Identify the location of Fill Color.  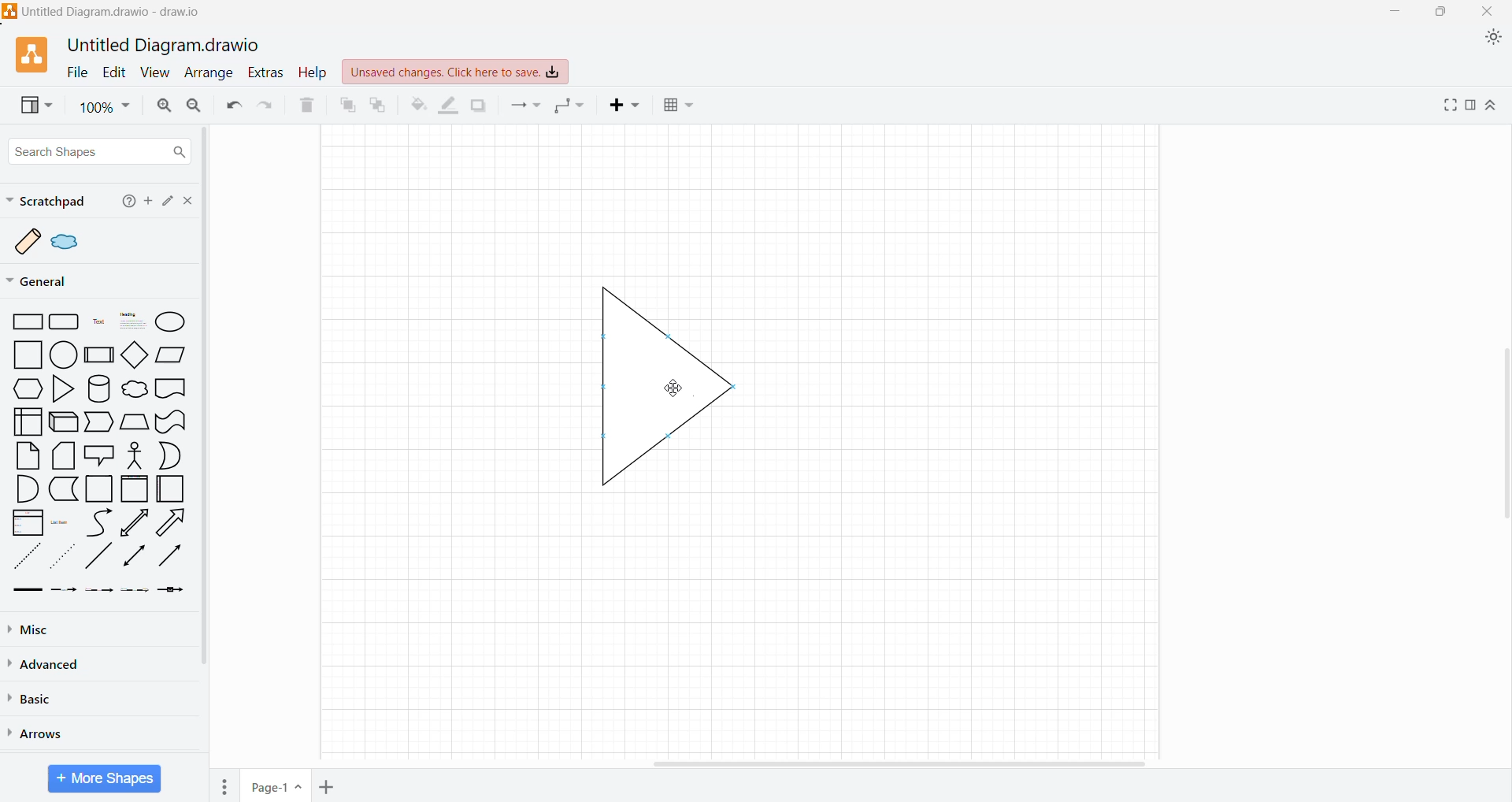
(418, 106).